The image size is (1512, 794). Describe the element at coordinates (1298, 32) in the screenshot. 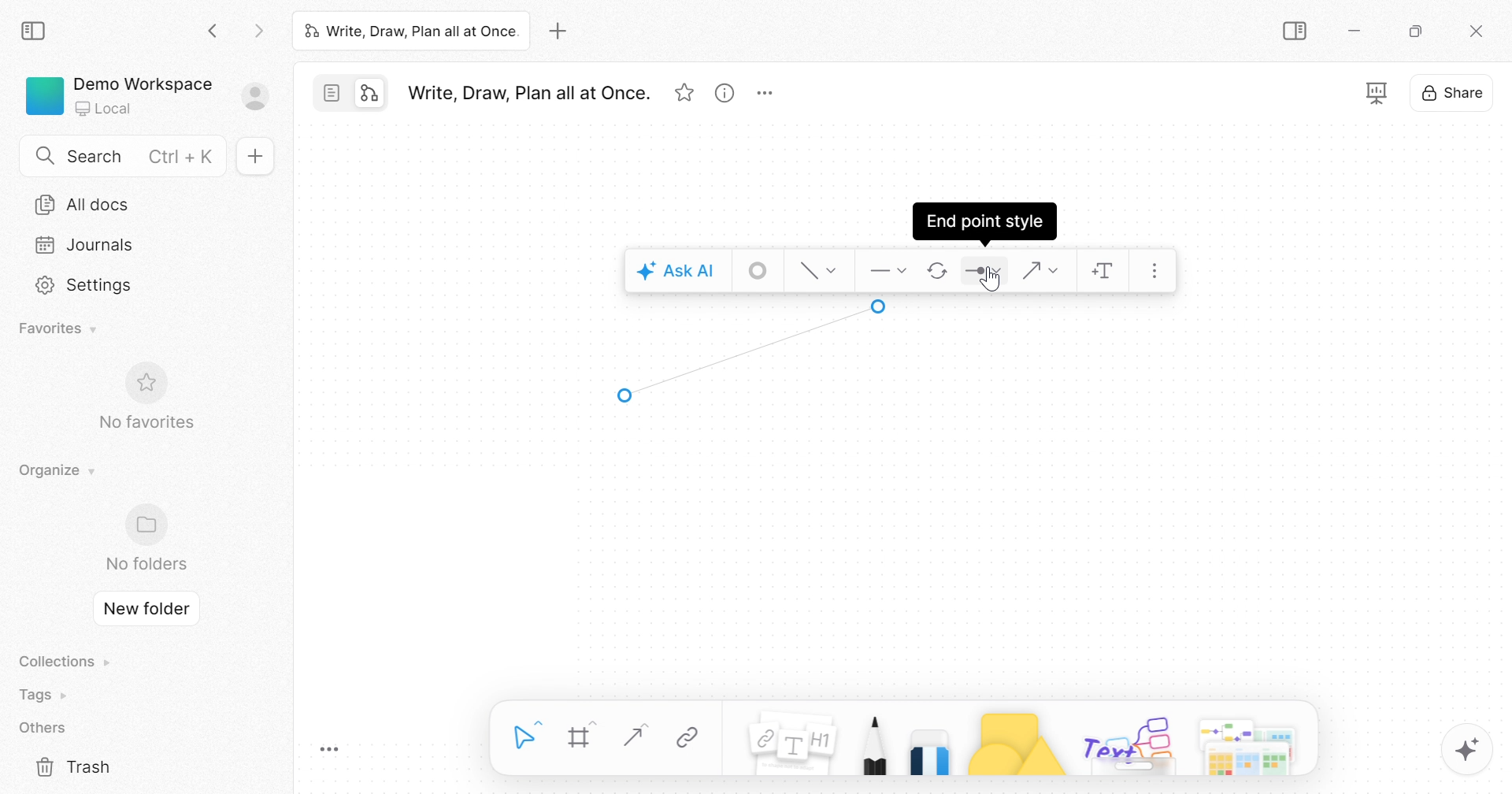

I see `Collapse sidebar` at that location.